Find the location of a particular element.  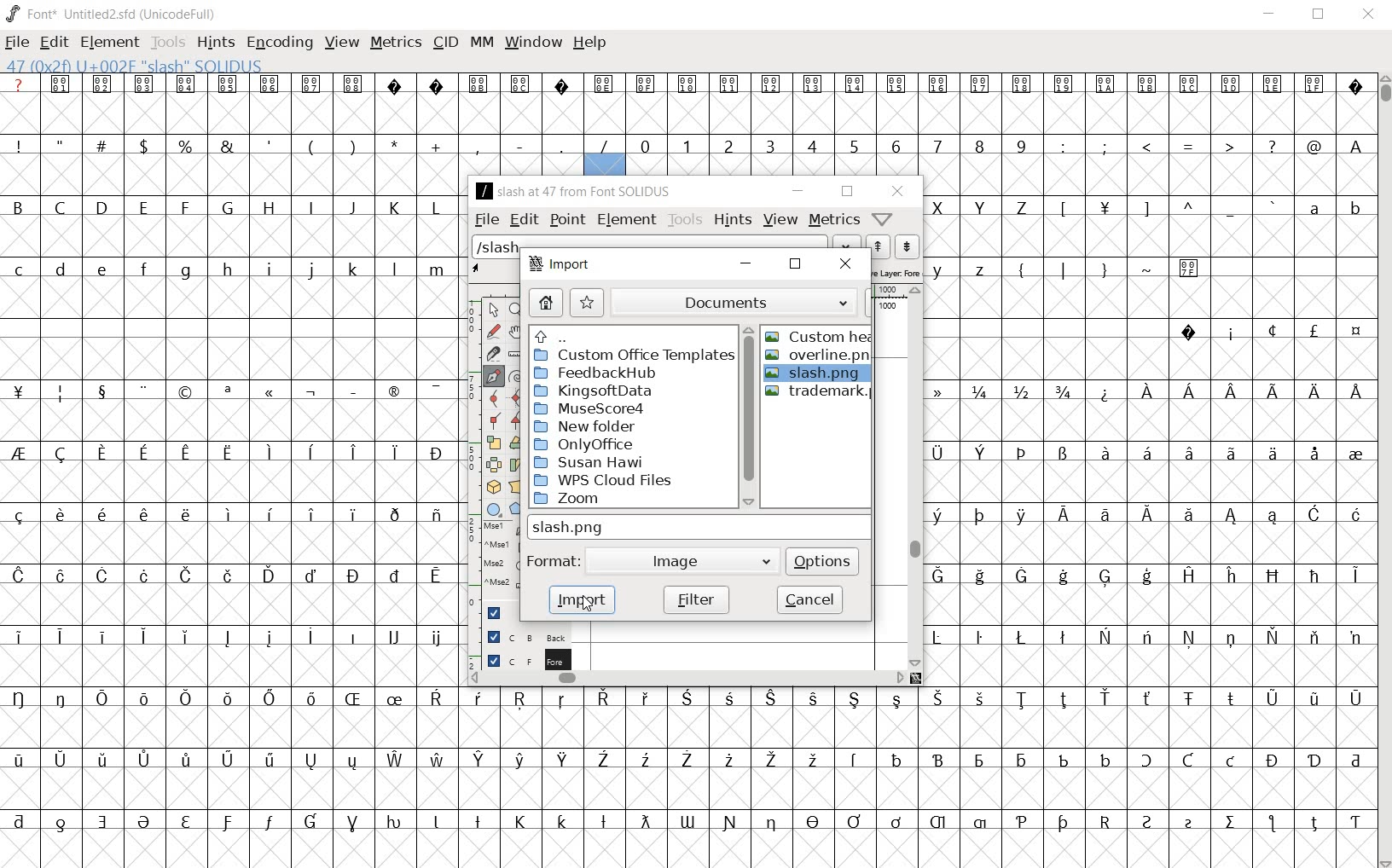

symbols is located at coordinates (1189, 146).